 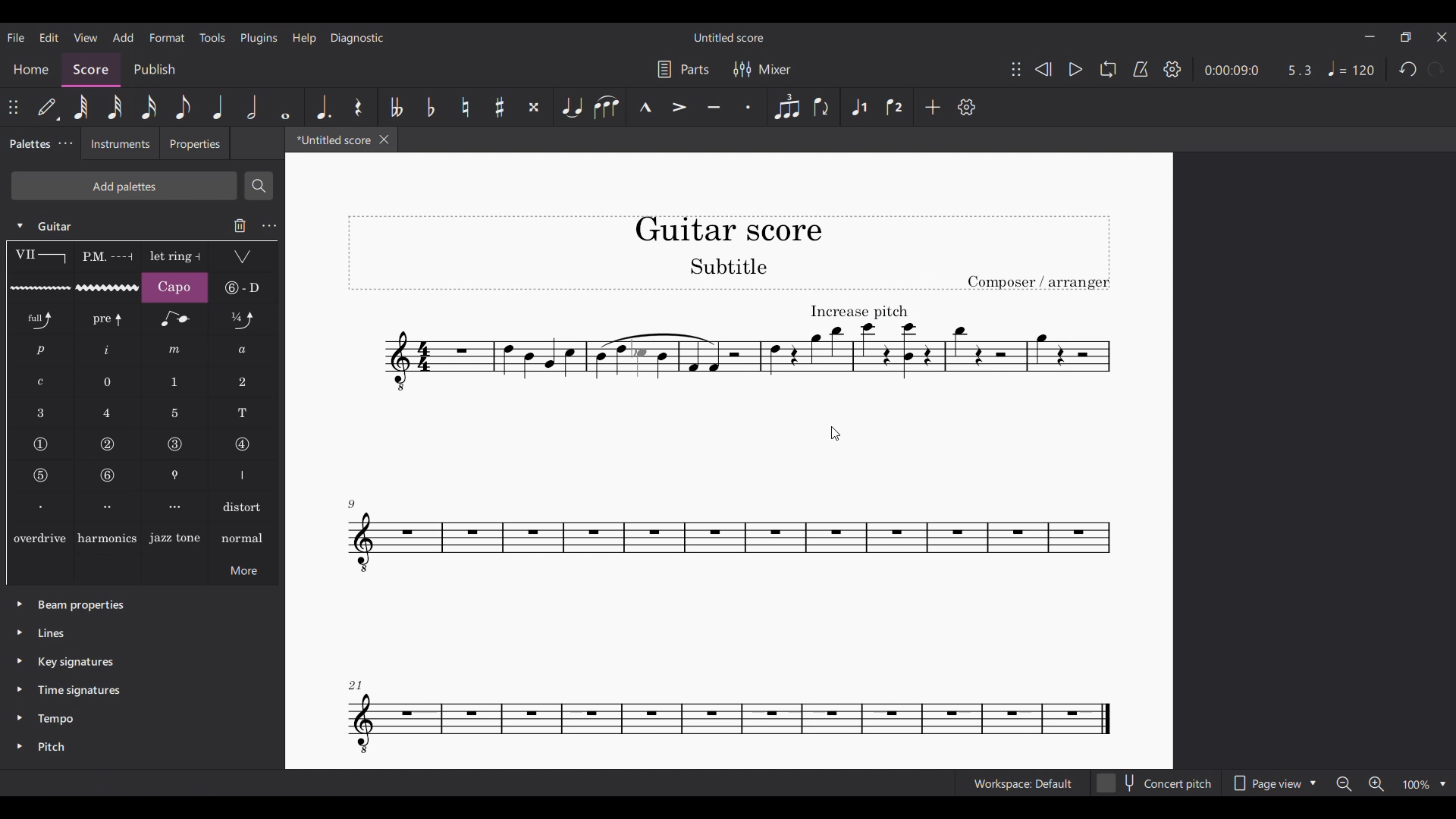 I want to click on RH guitar fingering p, so click(x=41, y=350).